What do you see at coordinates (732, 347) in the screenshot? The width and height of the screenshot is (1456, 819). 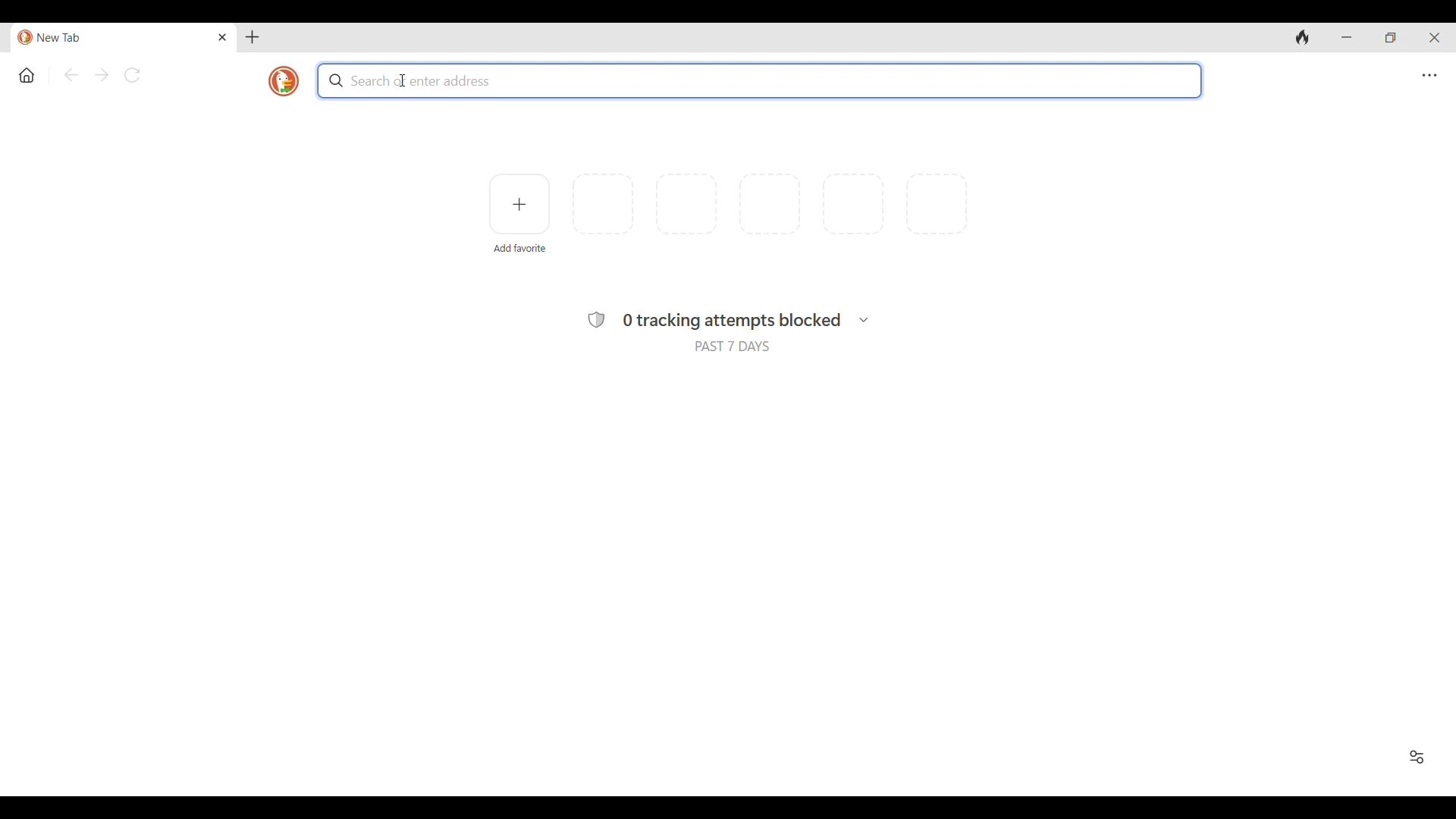 I see `PAST 7 DAYS` at bounding box center [732, 347].